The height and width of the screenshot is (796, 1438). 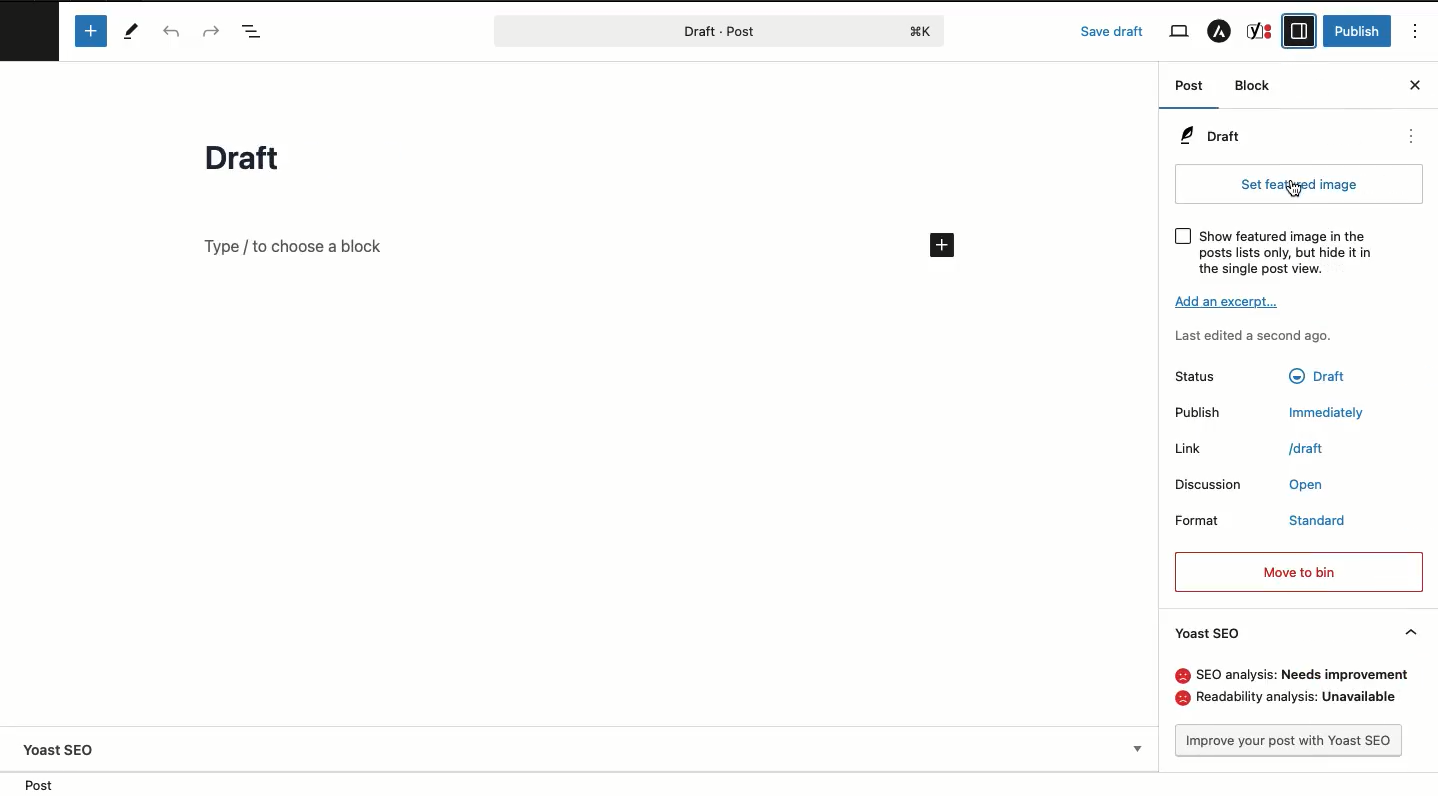 What do you see at coordinates (1259, 87) in the screenshot?
I see `Block` at bounding box center [1259, 87].